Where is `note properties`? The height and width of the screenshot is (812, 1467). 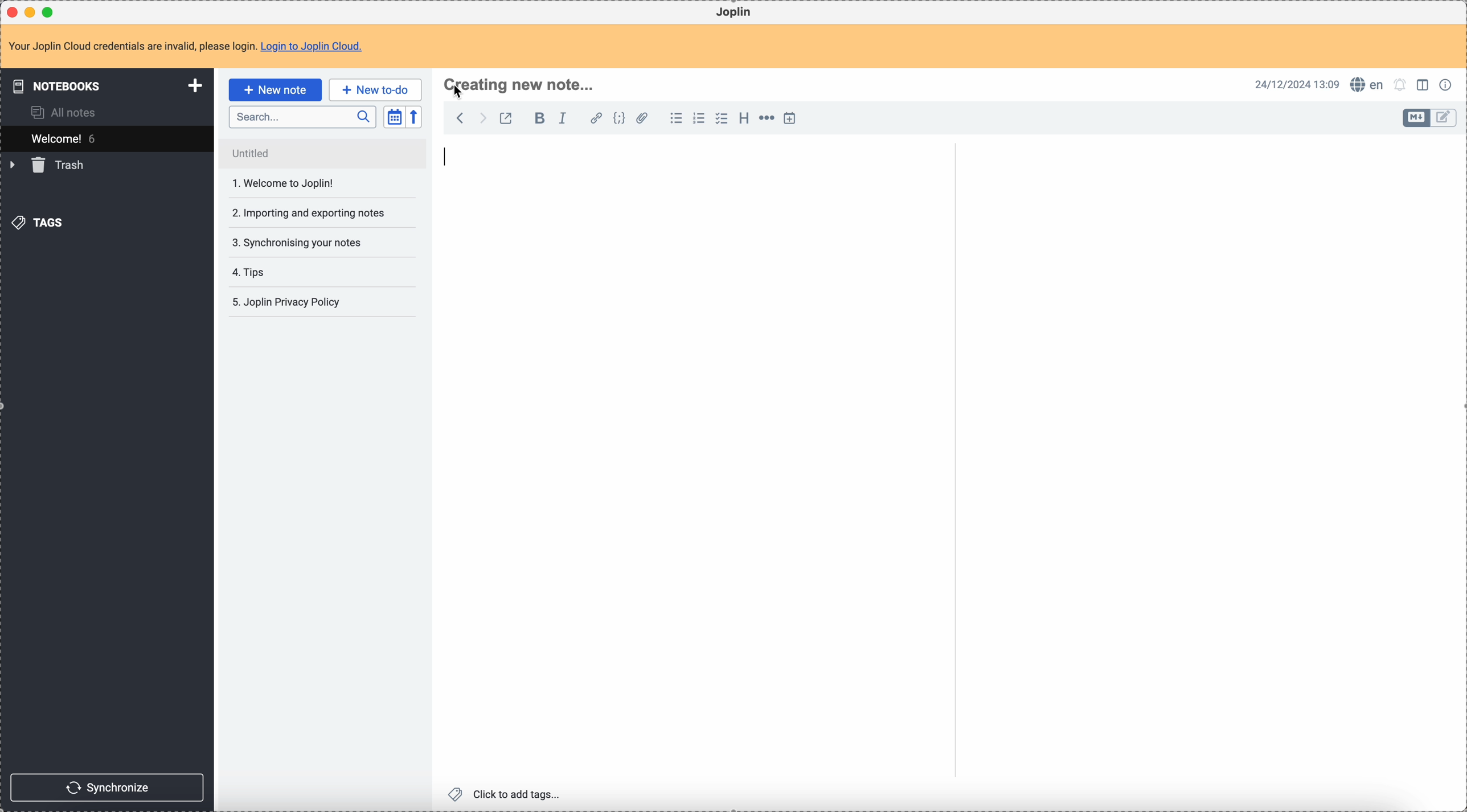 note properties is located at coordinates (1448, 84).